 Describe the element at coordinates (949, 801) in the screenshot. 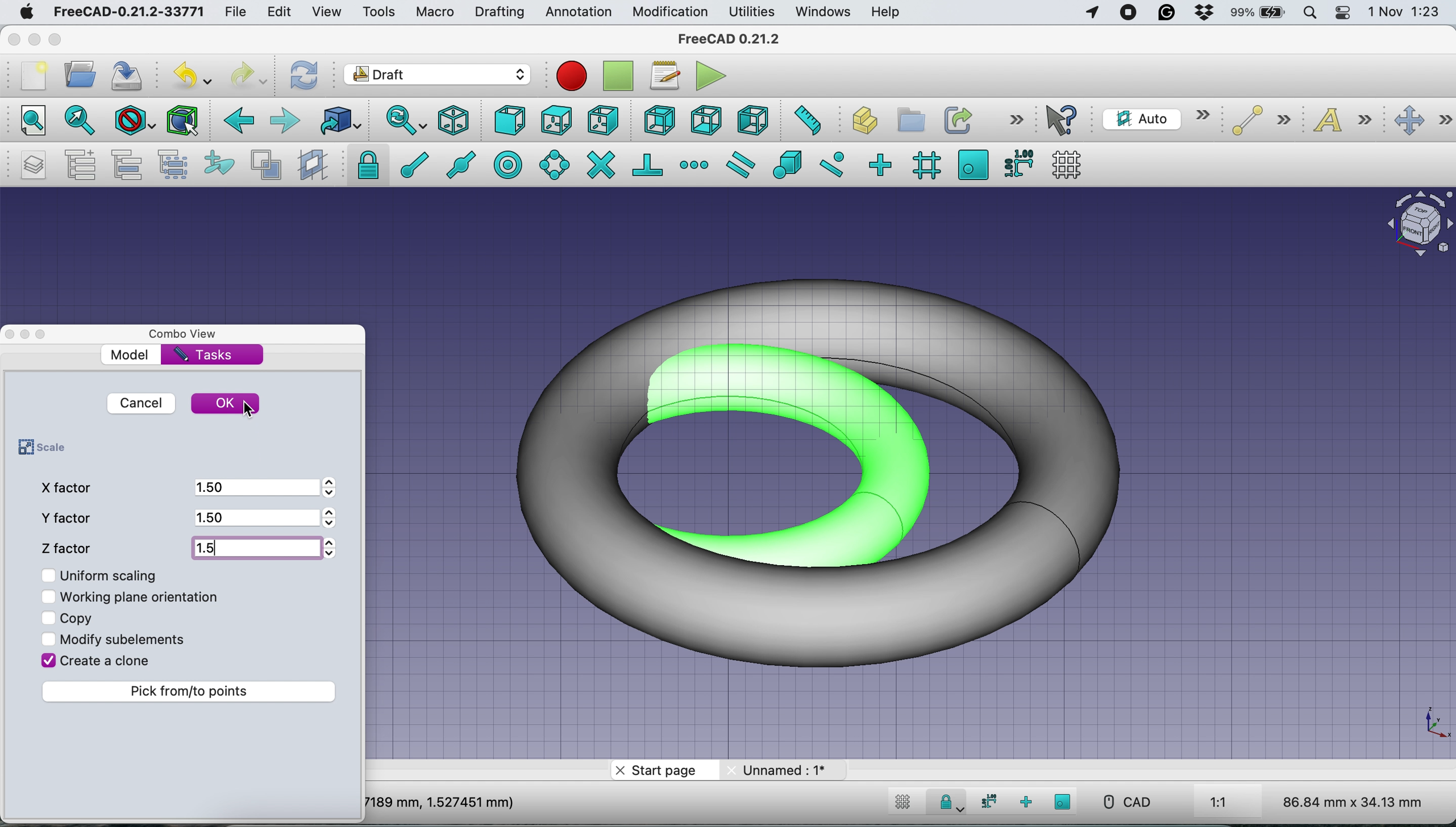

I see `Snap Lock` at that location.